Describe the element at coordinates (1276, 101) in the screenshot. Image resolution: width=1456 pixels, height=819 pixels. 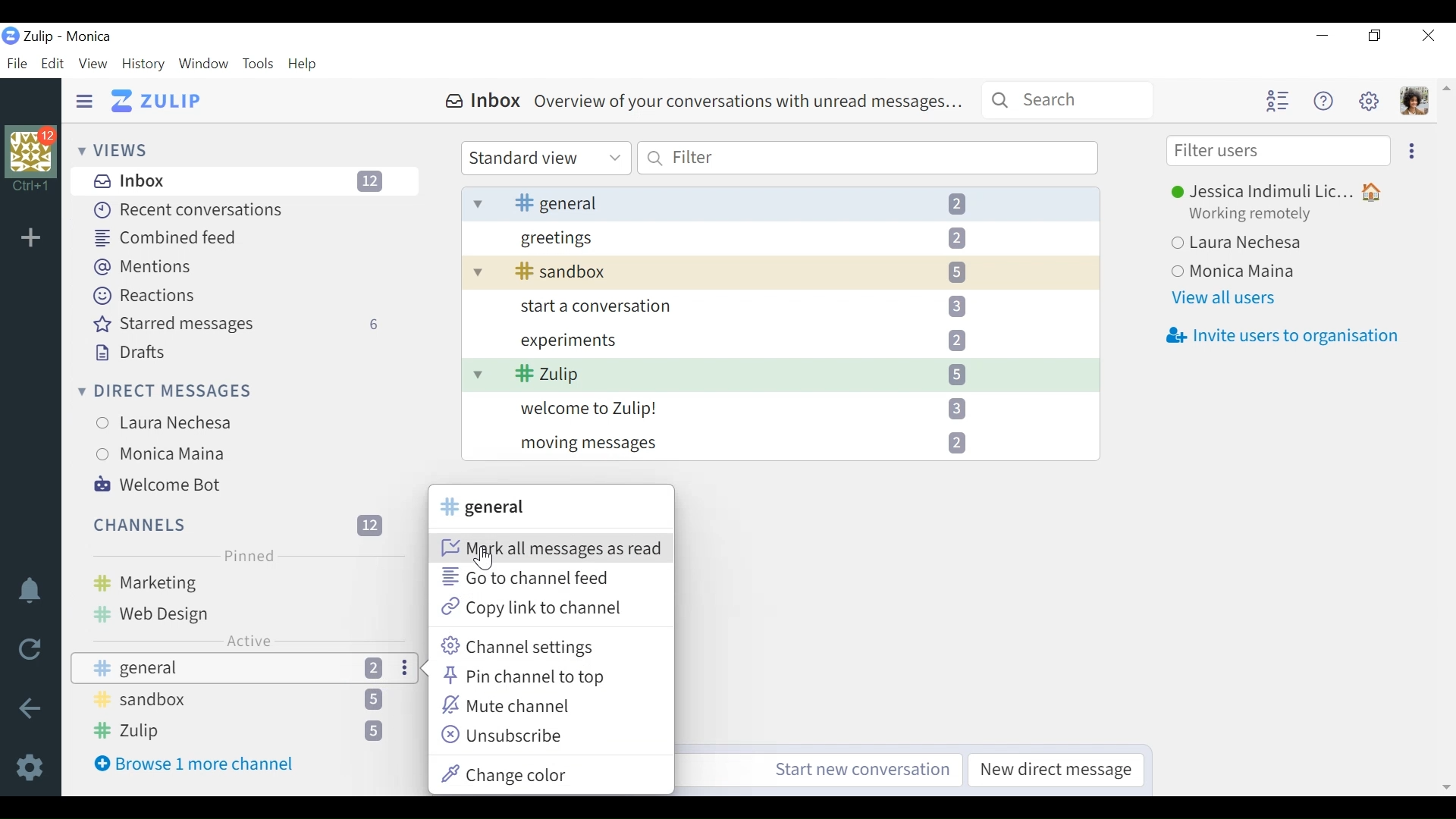
I see `user list` at that location.